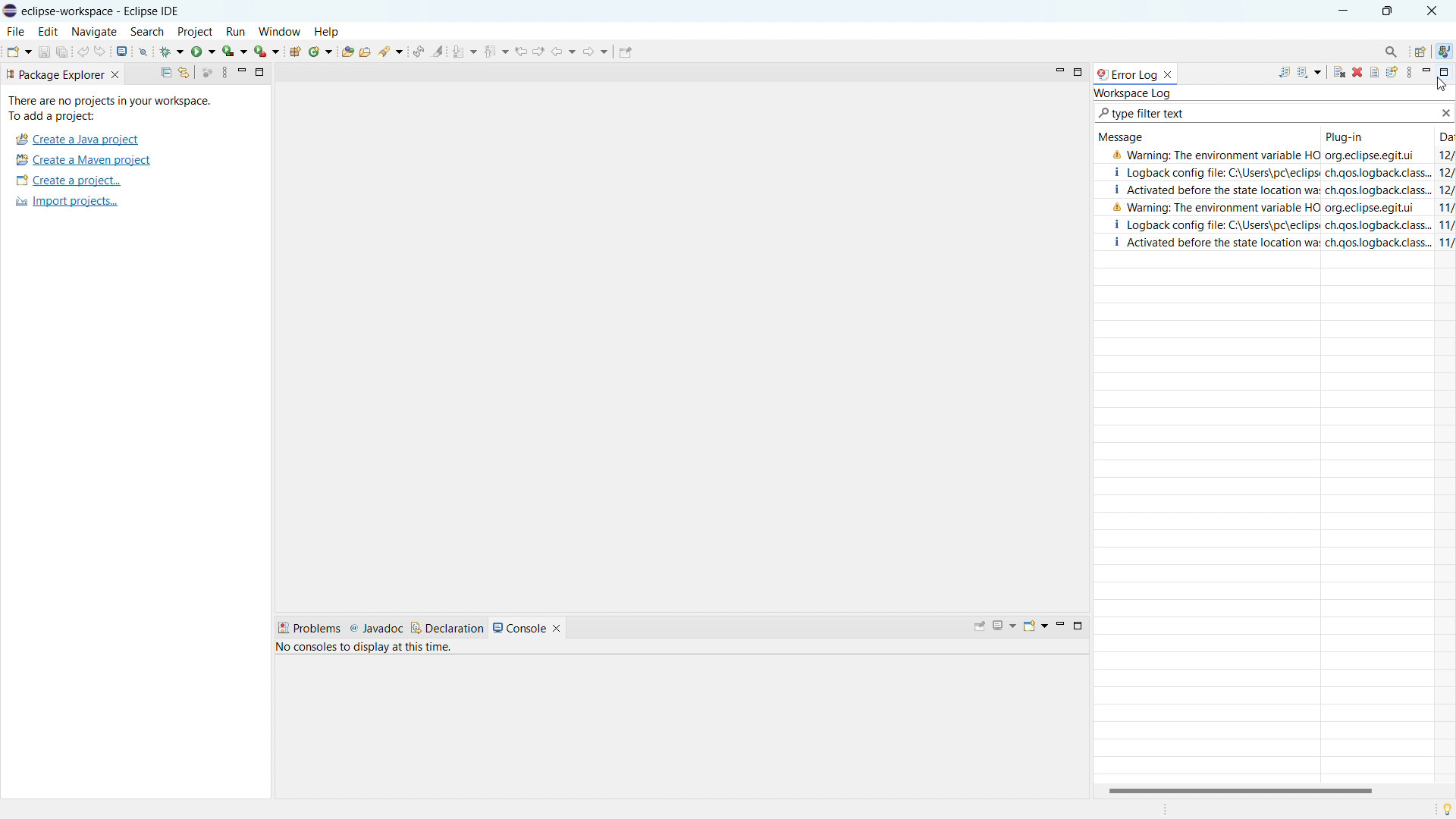 The image size is (1456, 819). Describe the element at coordinates (1434, 135) in the screenshot. I see `Date` at that location.